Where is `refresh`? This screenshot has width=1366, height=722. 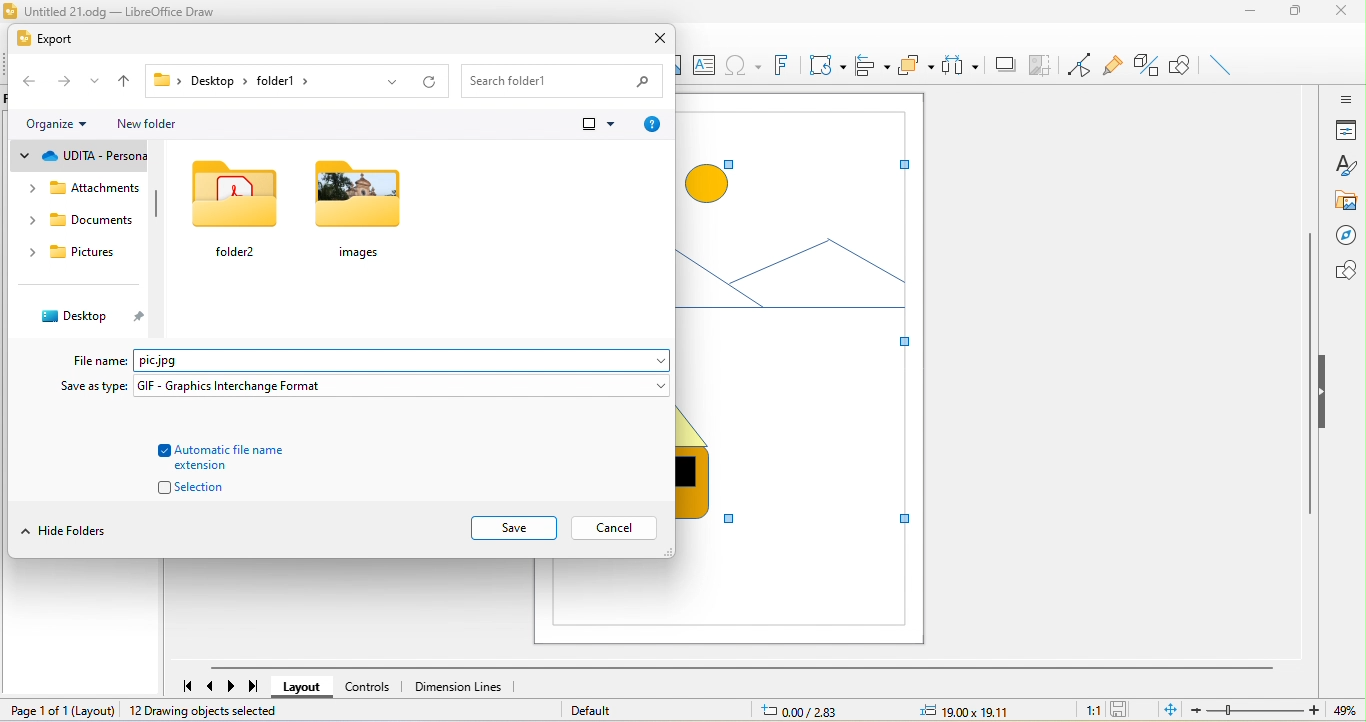
refresh is located at coordinates (426, 80).